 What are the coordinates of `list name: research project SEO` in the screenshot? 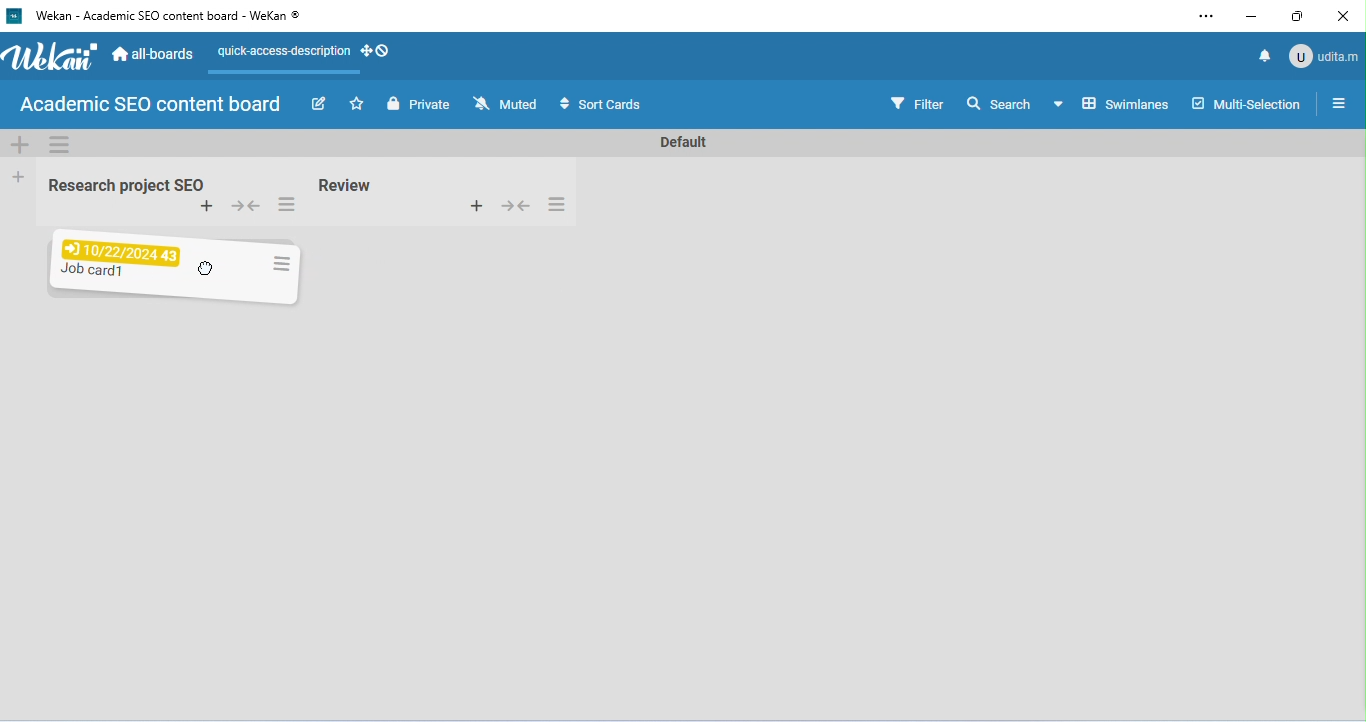 It's located at (121, 186).